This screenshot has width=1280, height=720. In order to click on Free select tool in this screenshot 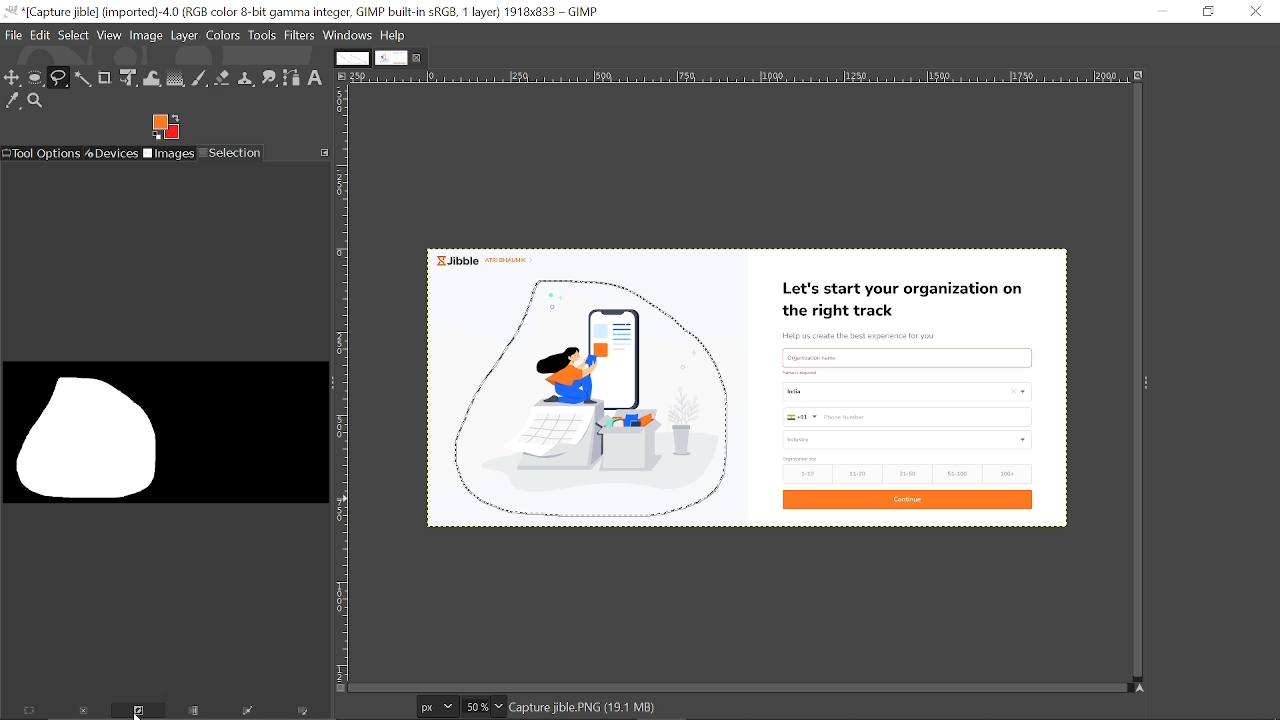, I will do `click(59, 78)`.